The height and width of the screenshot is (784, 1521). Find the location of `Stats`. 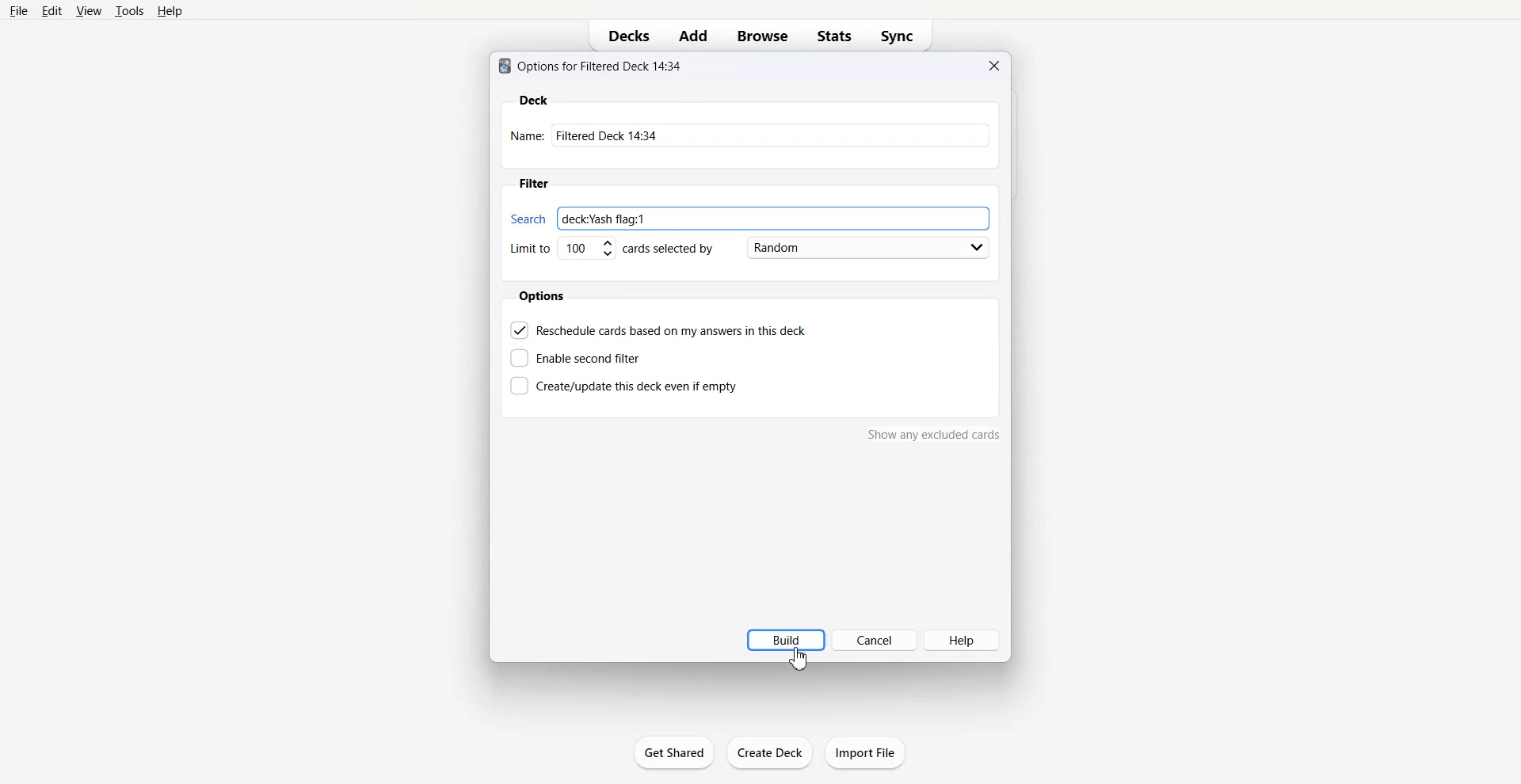

Stats is located at coordinates (833, 36).